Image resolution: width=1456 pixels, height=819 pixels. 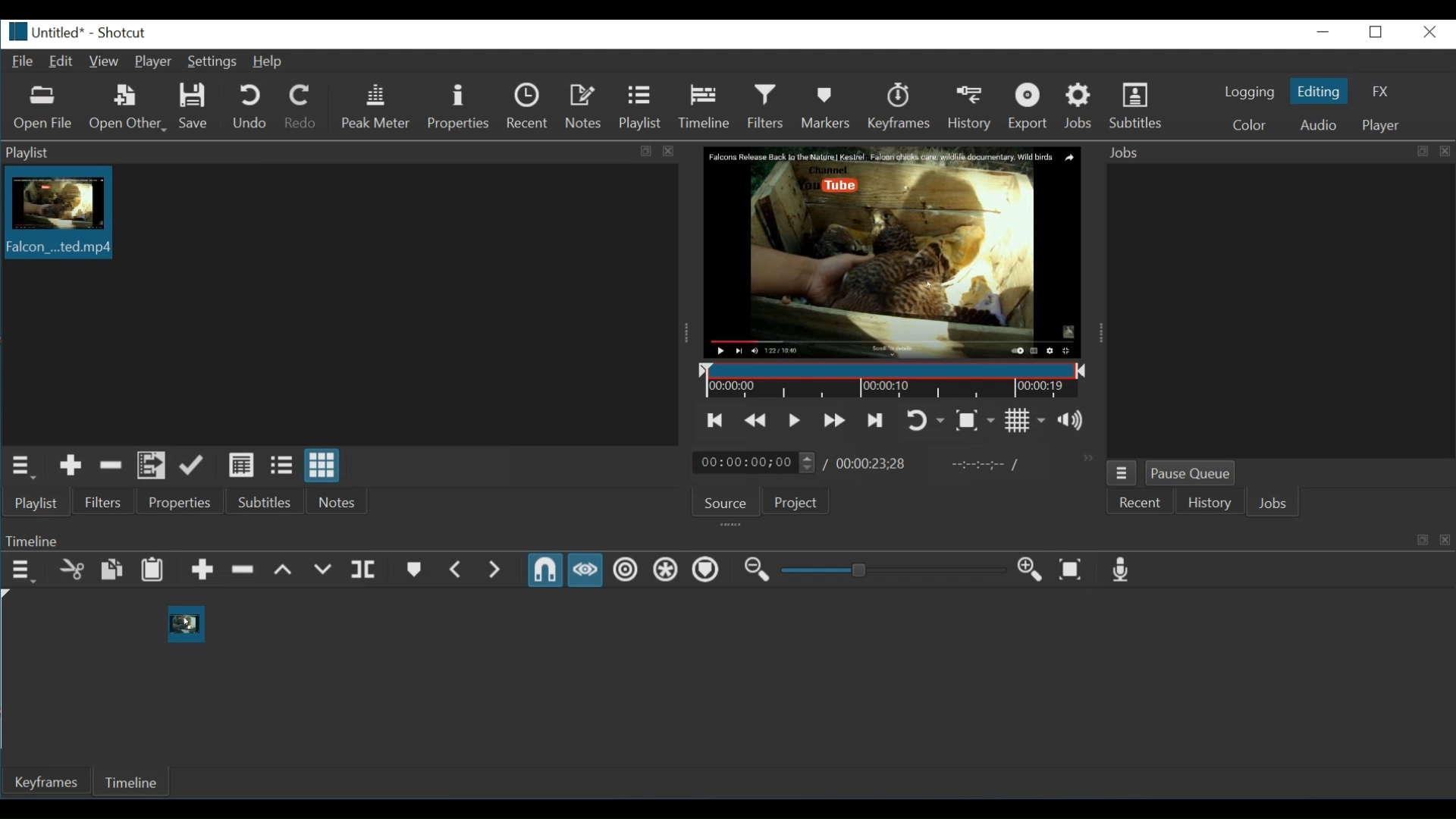 What do you see at coordinates (1190, 474) in the screenshot?
I see `Pause Queue` at bounding box center [1190, 474].